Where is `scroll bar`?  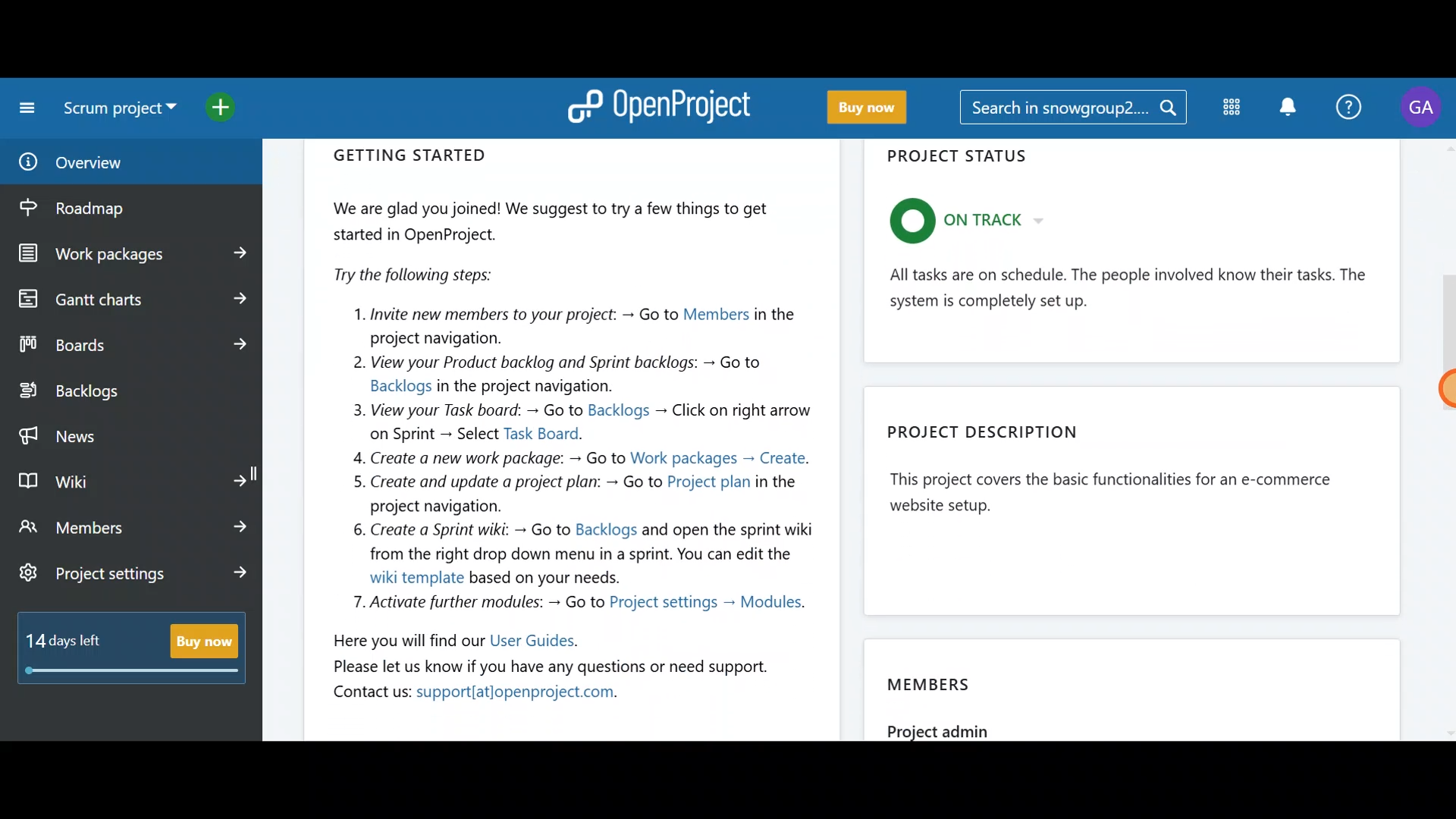 scroll bar is located at coordinates (1448, 441).